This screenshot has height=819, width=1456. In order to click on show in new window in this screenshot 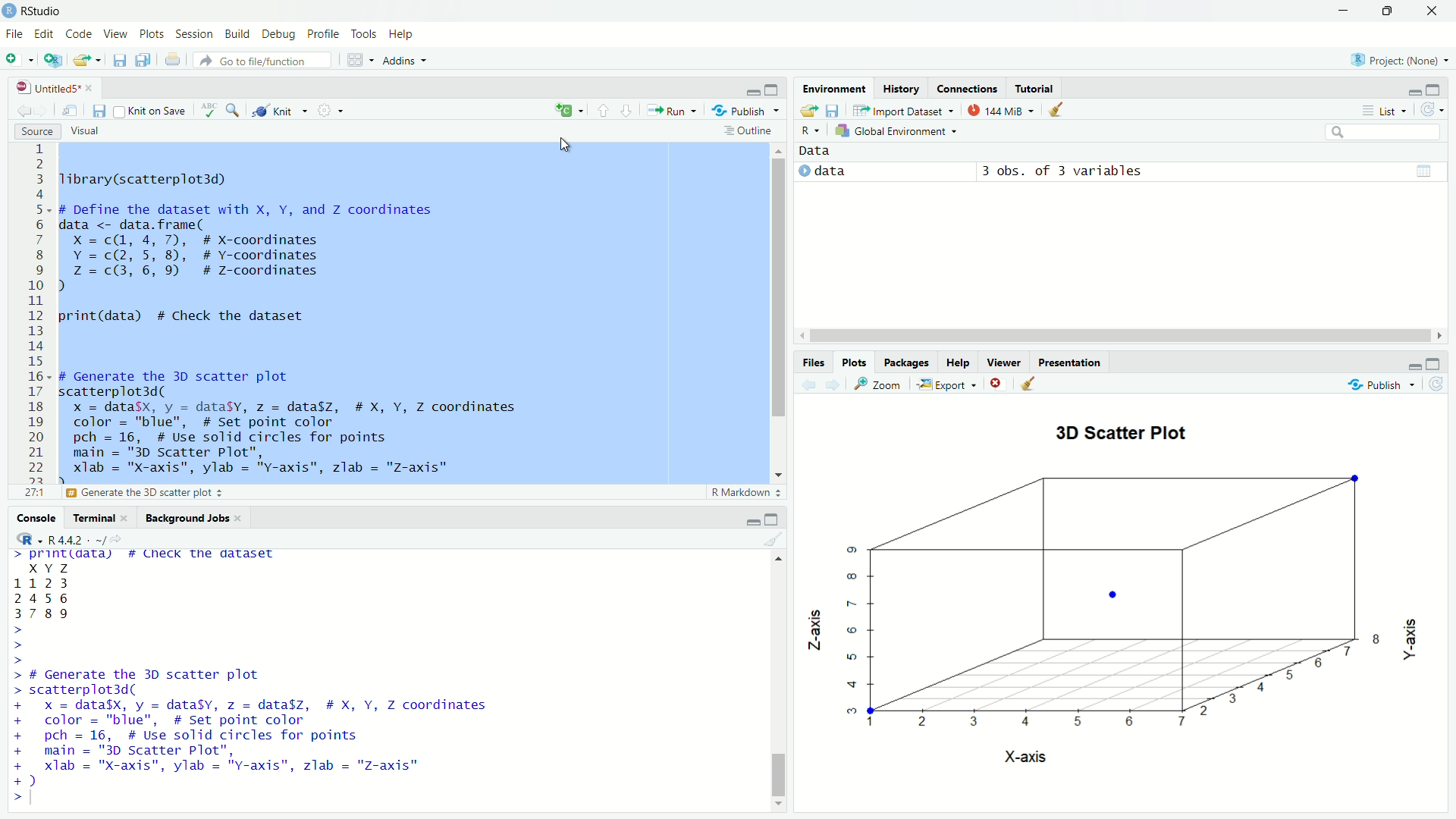, I will do `click(70, 111)`.